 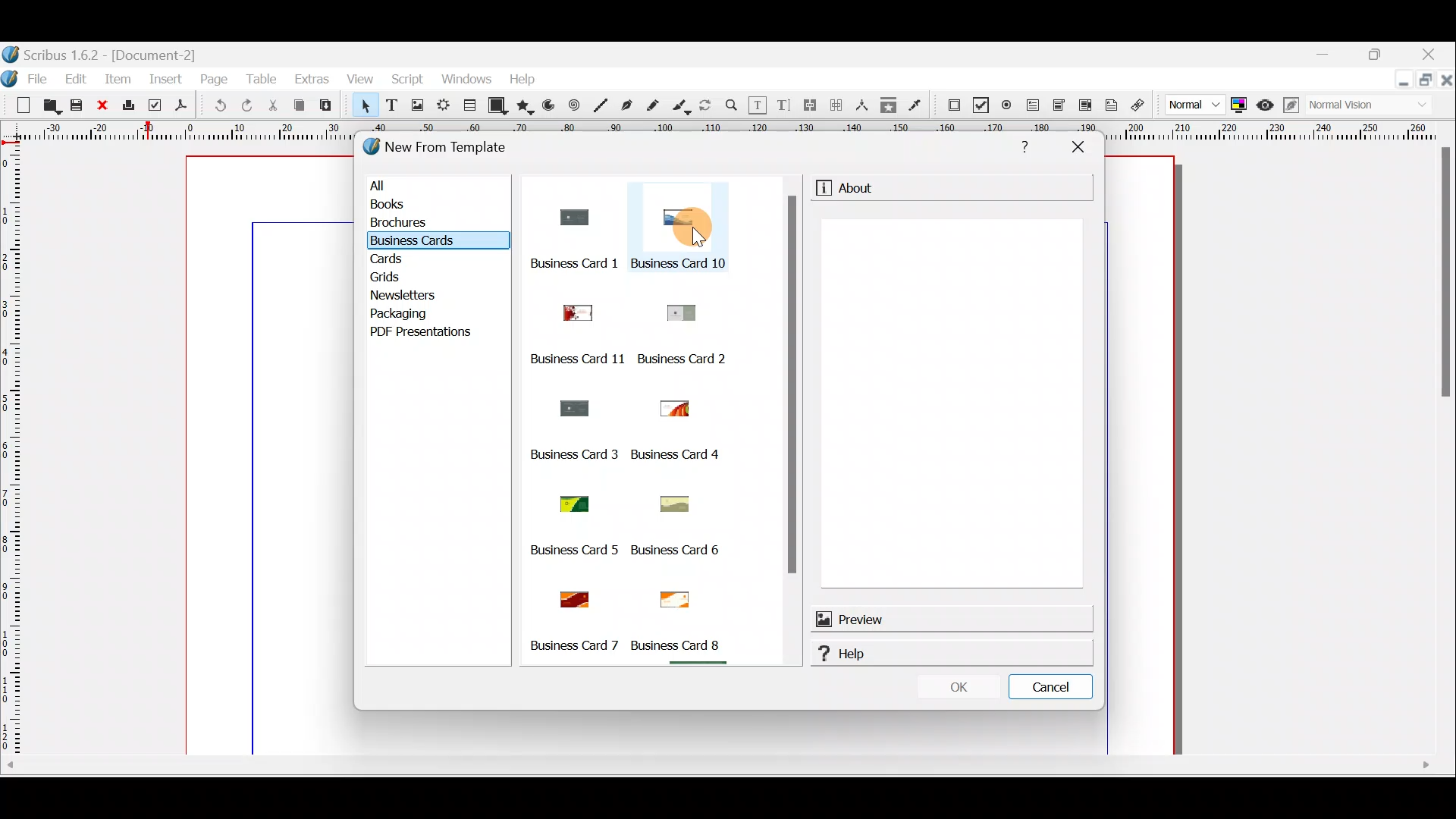 What do you see at coordinates (570, 309) in the screenshot?
I see `Business card image` at bounding box center [570, 309].